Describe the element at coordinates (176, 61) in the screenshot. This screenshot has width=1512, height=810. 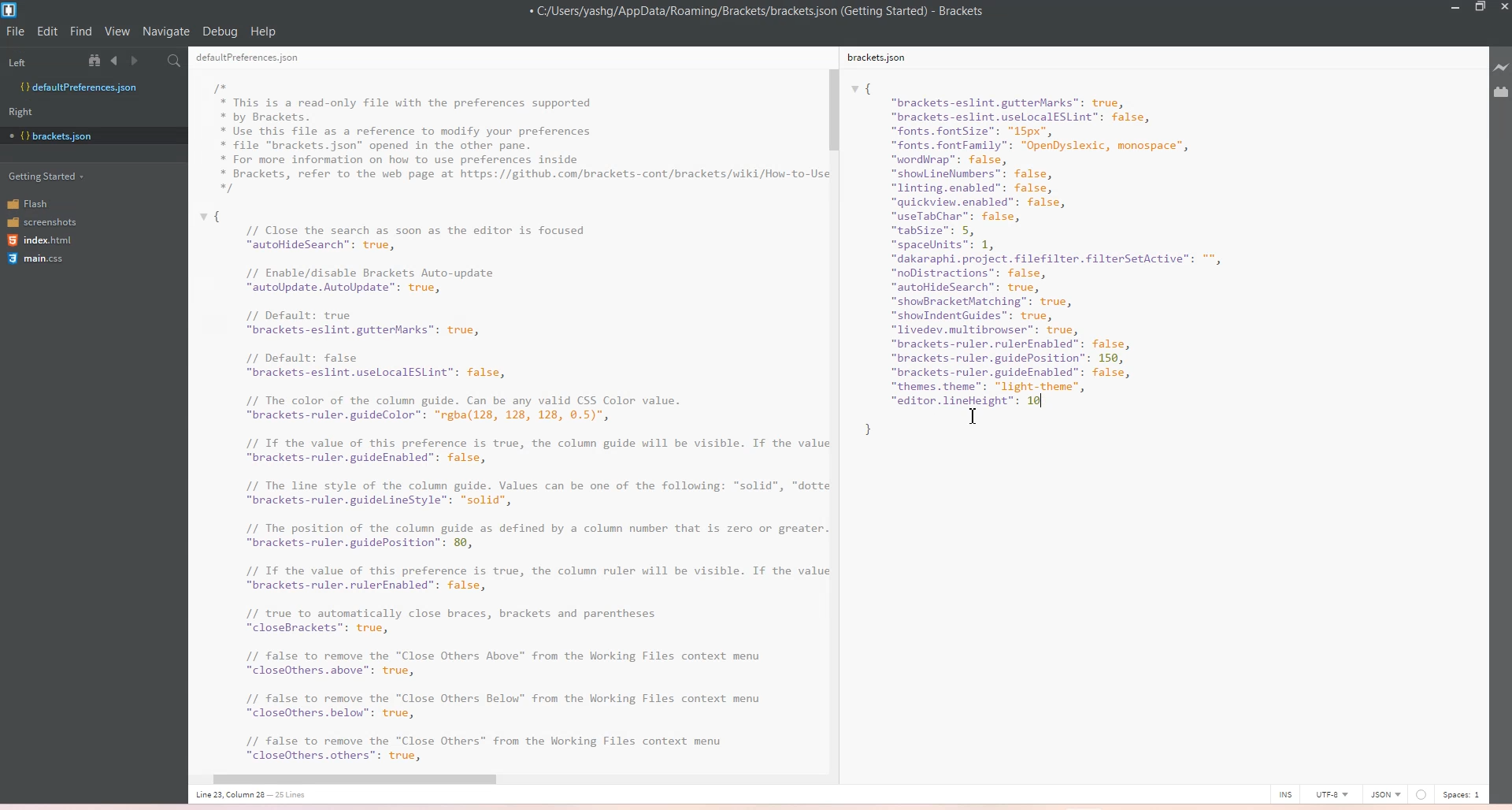
I see `Find in Files` at that location.